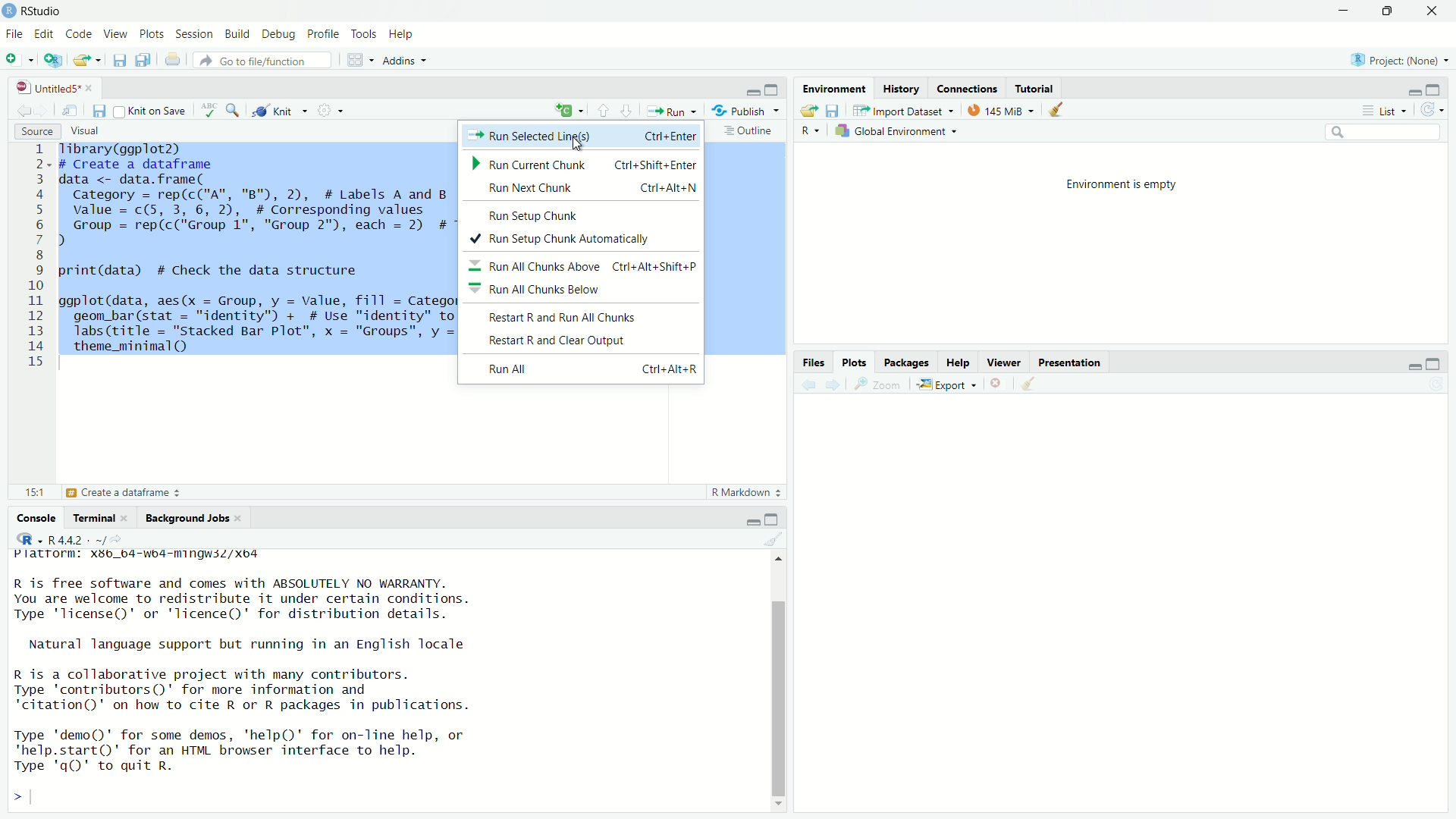  Describe the element at coordinates (749, 522) in the screenshot. I see `Minimize` at that location.